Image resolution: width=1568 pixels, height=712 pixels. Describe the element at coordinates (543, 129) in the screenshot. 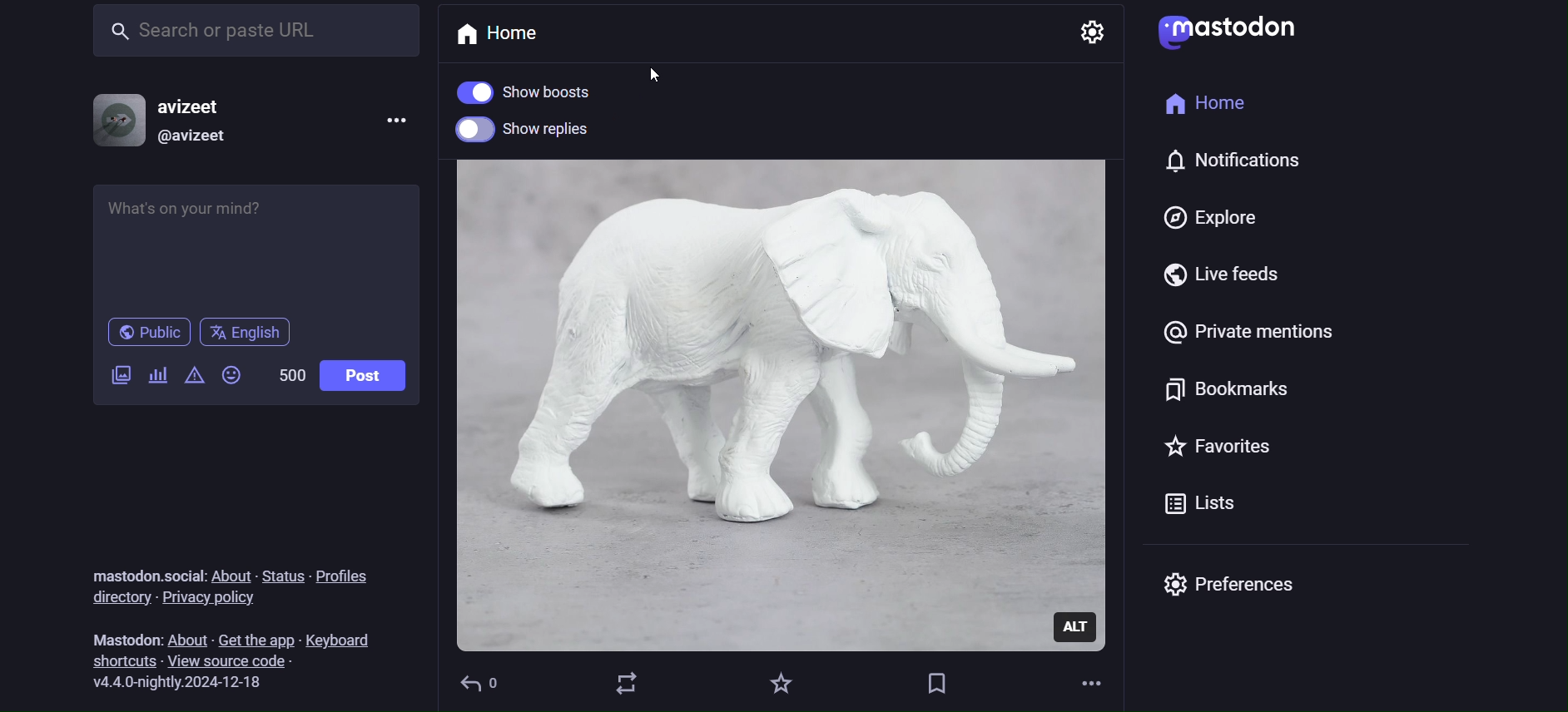

I see `show replies disabled` at that location.